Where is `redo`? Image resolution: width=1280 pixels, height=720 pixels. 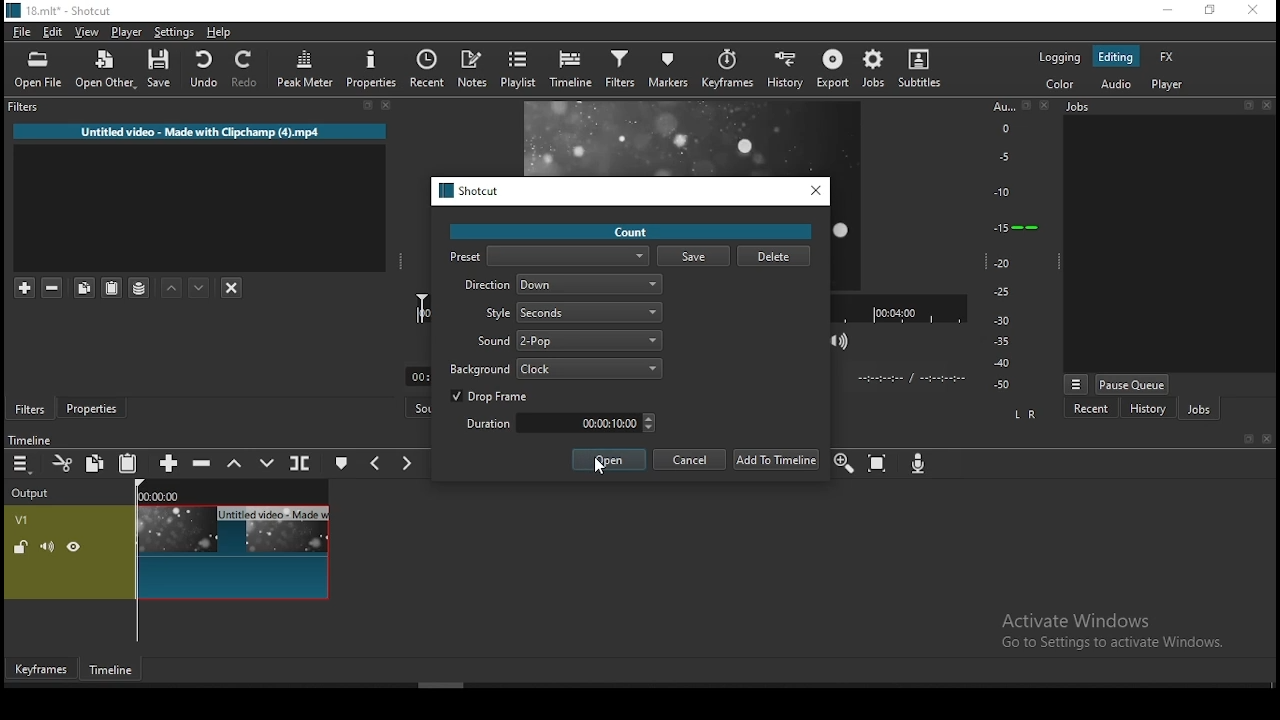 redo is located at coordinates (247, 69).